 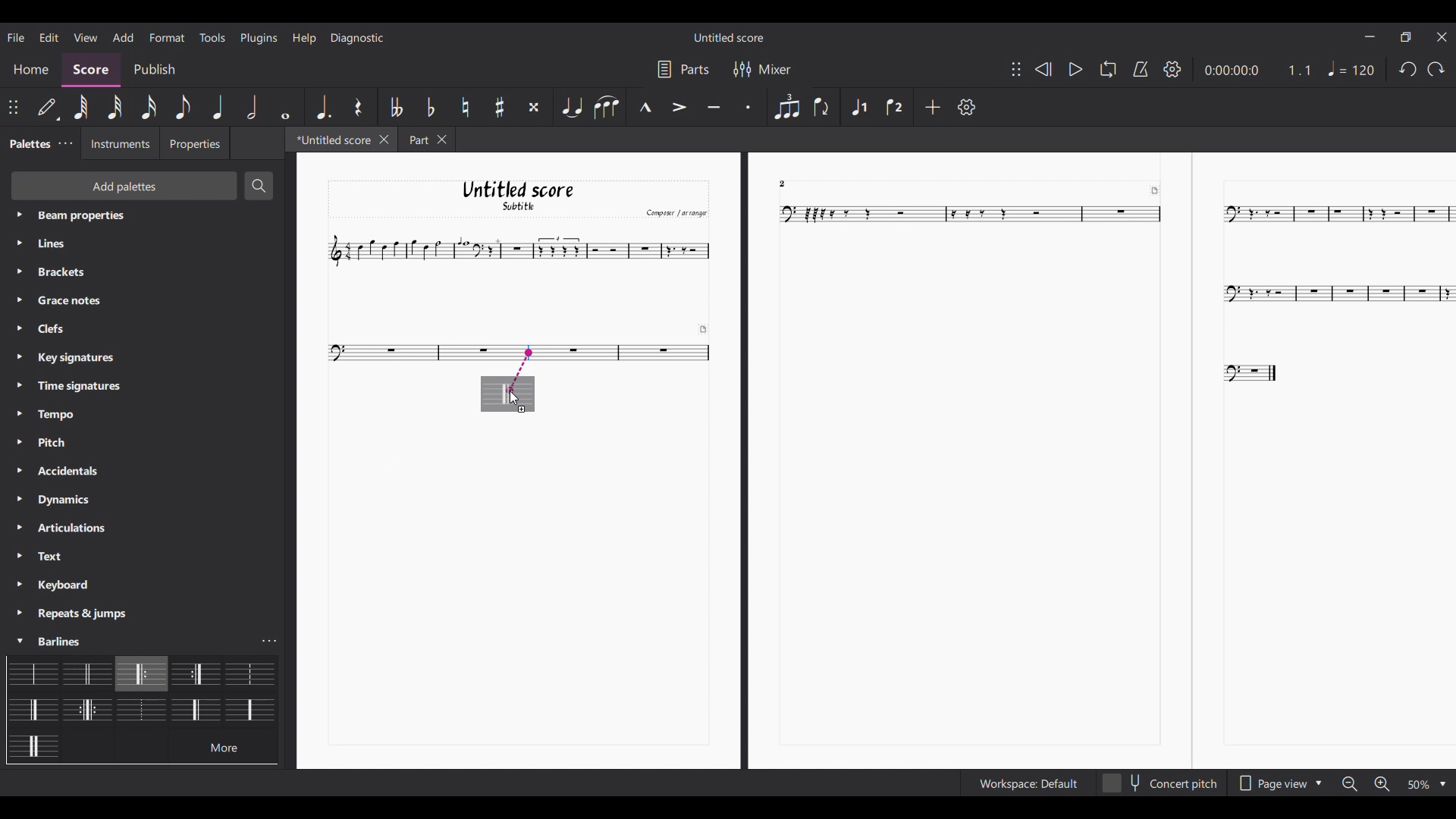 What do you see at coordinates (155, 69) in the screenshot?
I see `Publish section` at bounding box center [155, 69].